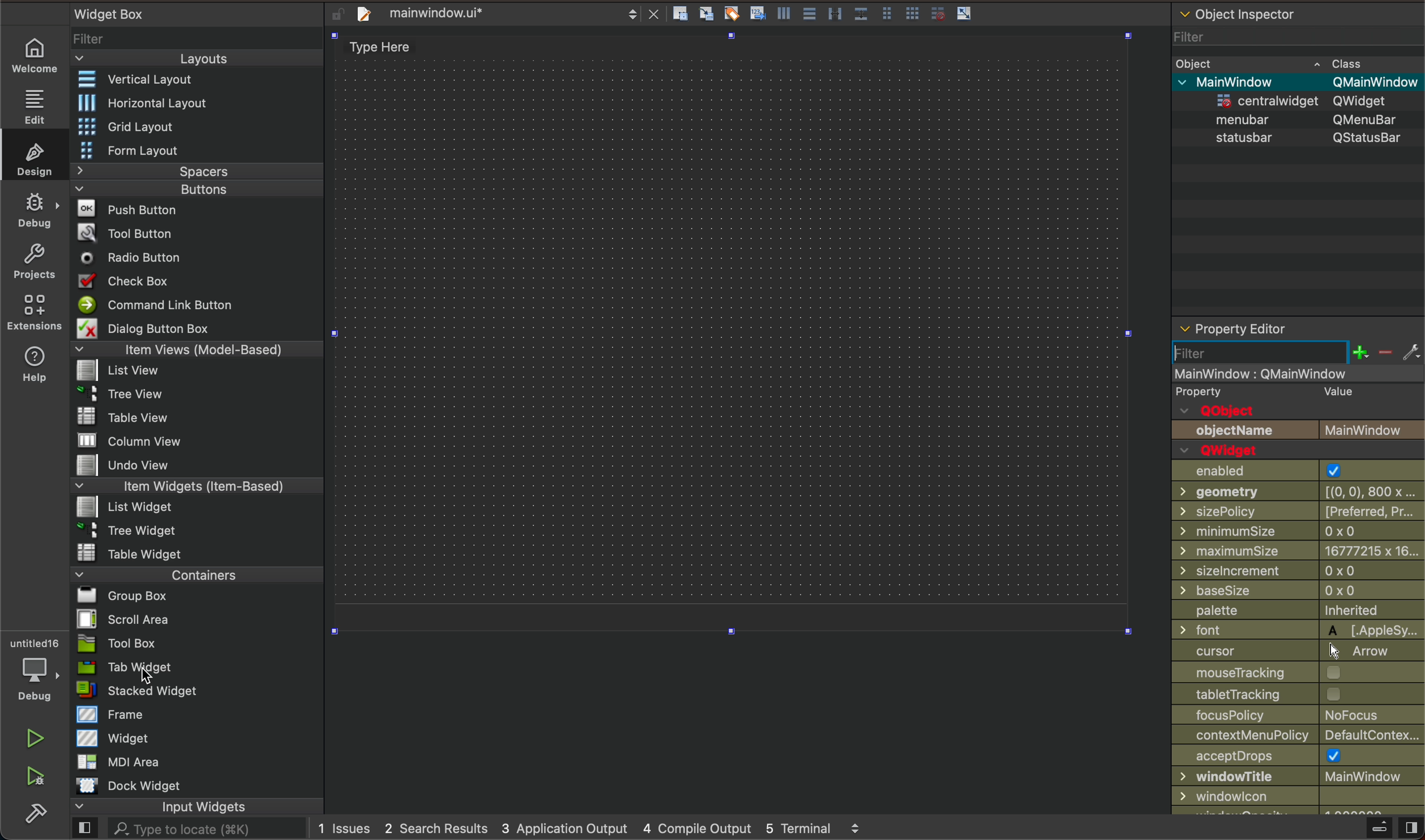 The height and width of the screenshot is (840, 1425). Describe the element at coordinates (1295, 400) in the screenshot. I see `qobject` at that location.